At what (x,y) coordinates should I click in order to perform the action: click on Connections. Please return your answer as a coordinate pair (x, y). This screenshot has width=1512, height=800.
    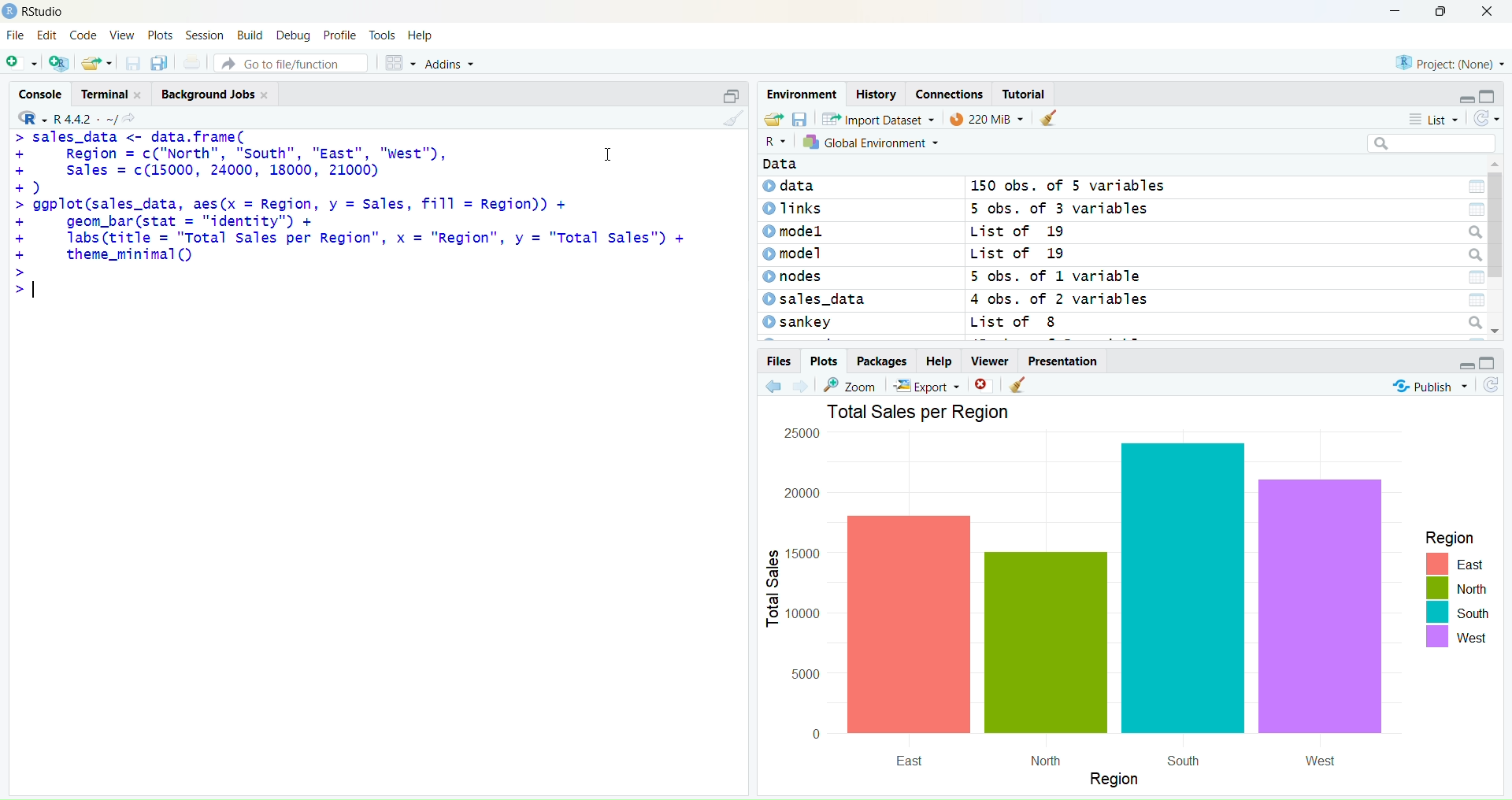
    Looking at the image, I should click on (950, 93).